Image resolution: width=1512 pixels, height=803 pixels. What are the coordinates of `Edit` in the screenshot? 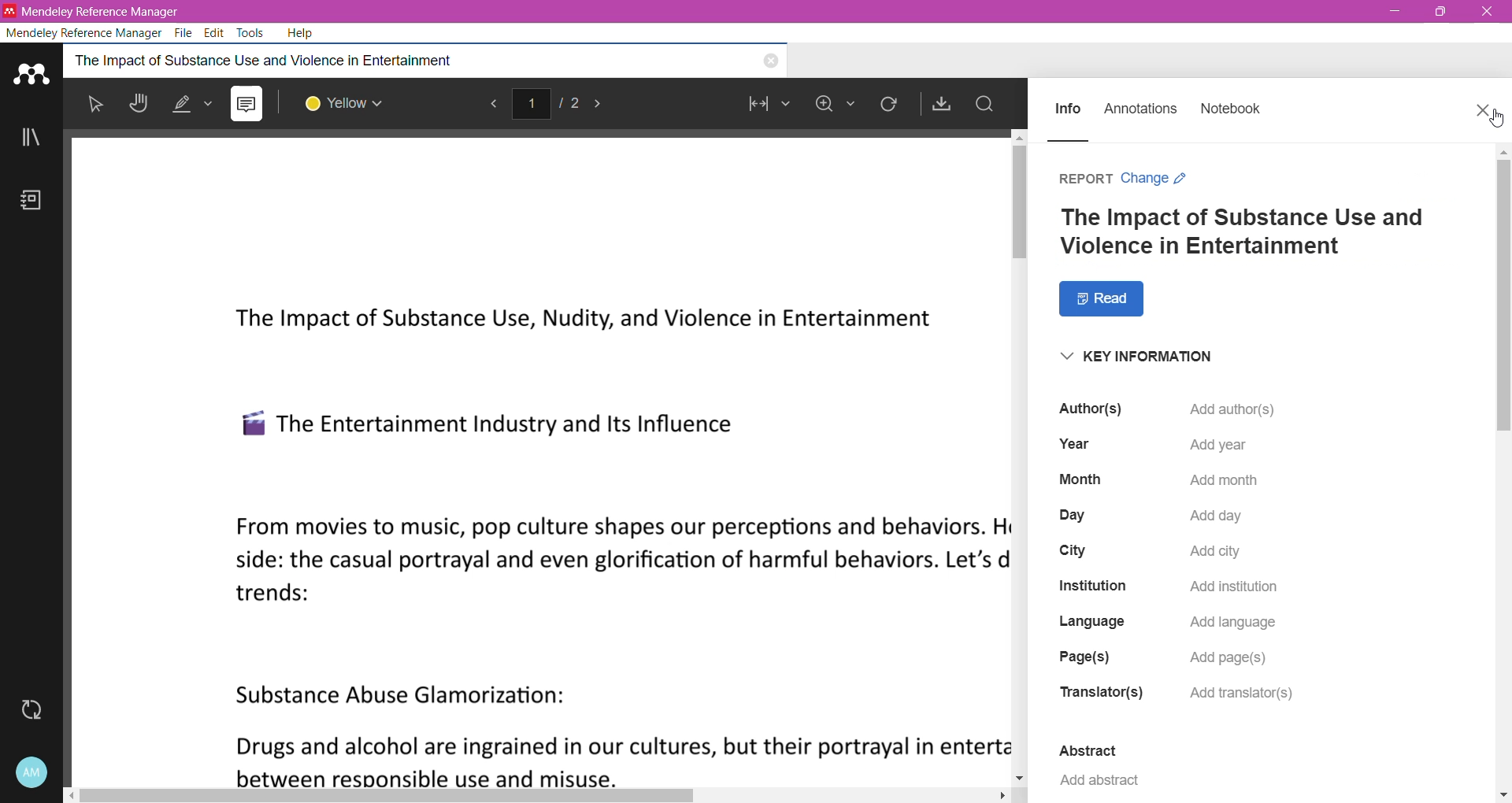 It's located at (215, 31).